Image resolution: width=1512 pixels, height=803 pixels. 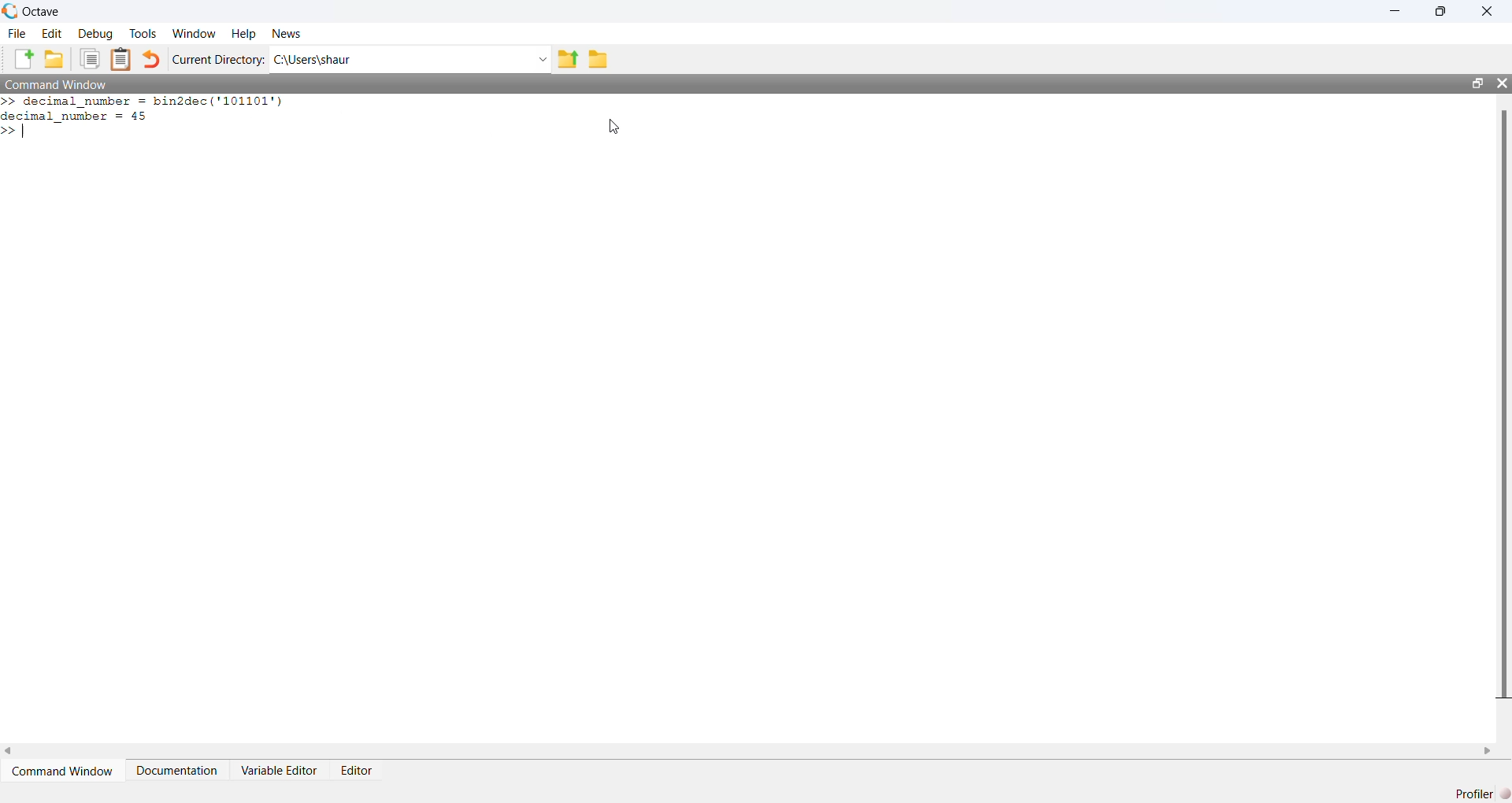 I want to click on undo, so click(x=151, y=59).